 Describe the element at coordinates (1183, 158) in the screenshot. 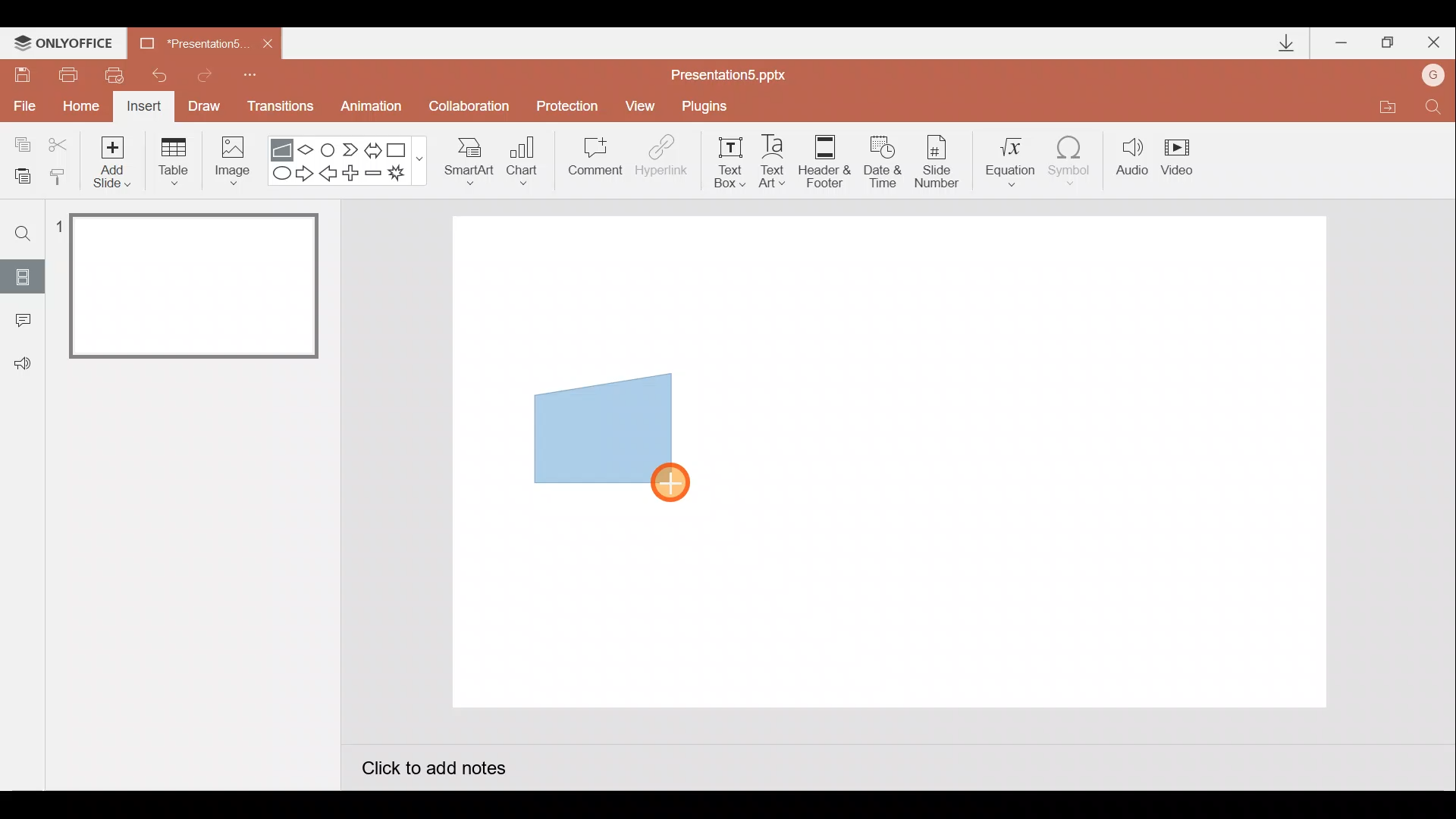

I see `Video` at that location.